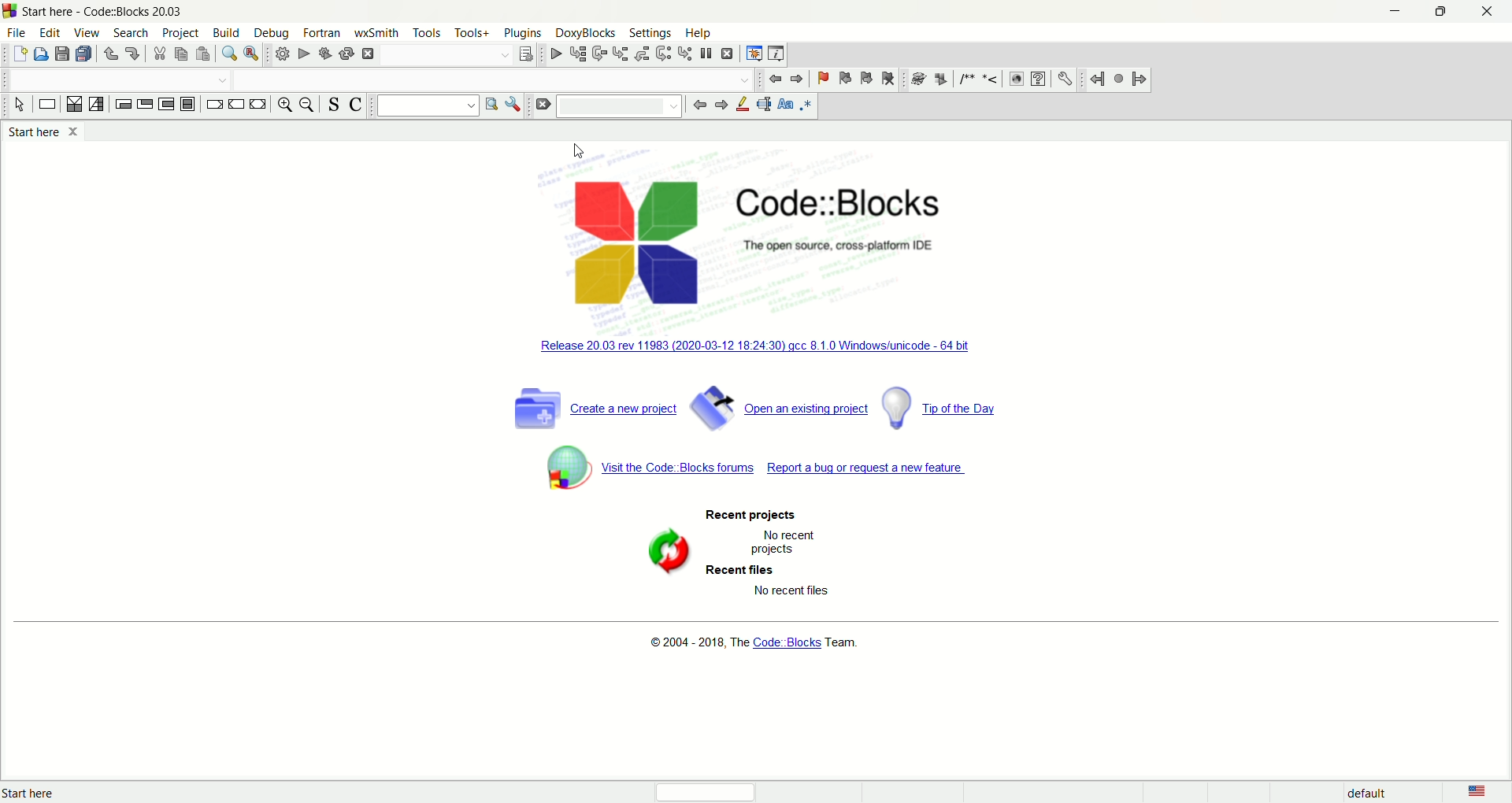 Image resolution: width=1512 pixels, height=803 pixels. I want to click on toggle bookmark, so click(823, 77).